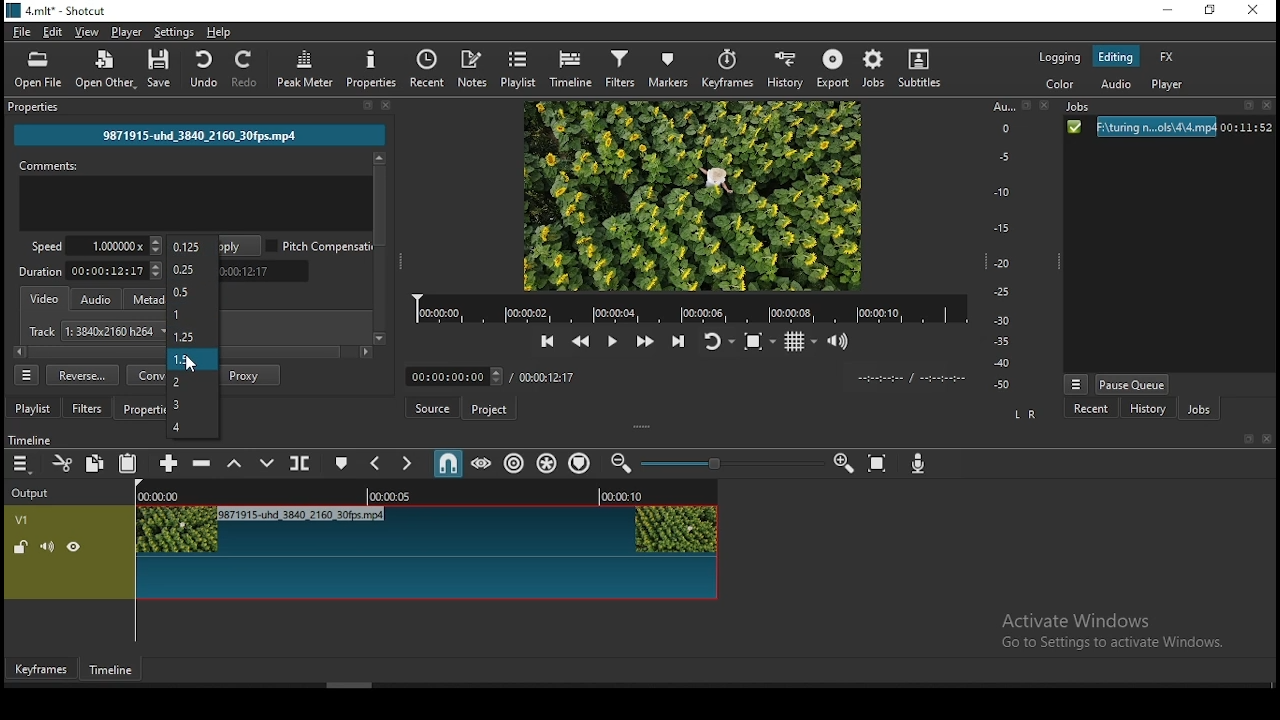 This screenshot has height=720, width=1280. Describe the element at coordinates (574, 67) in the screenshot. I see `timeline` at that location.